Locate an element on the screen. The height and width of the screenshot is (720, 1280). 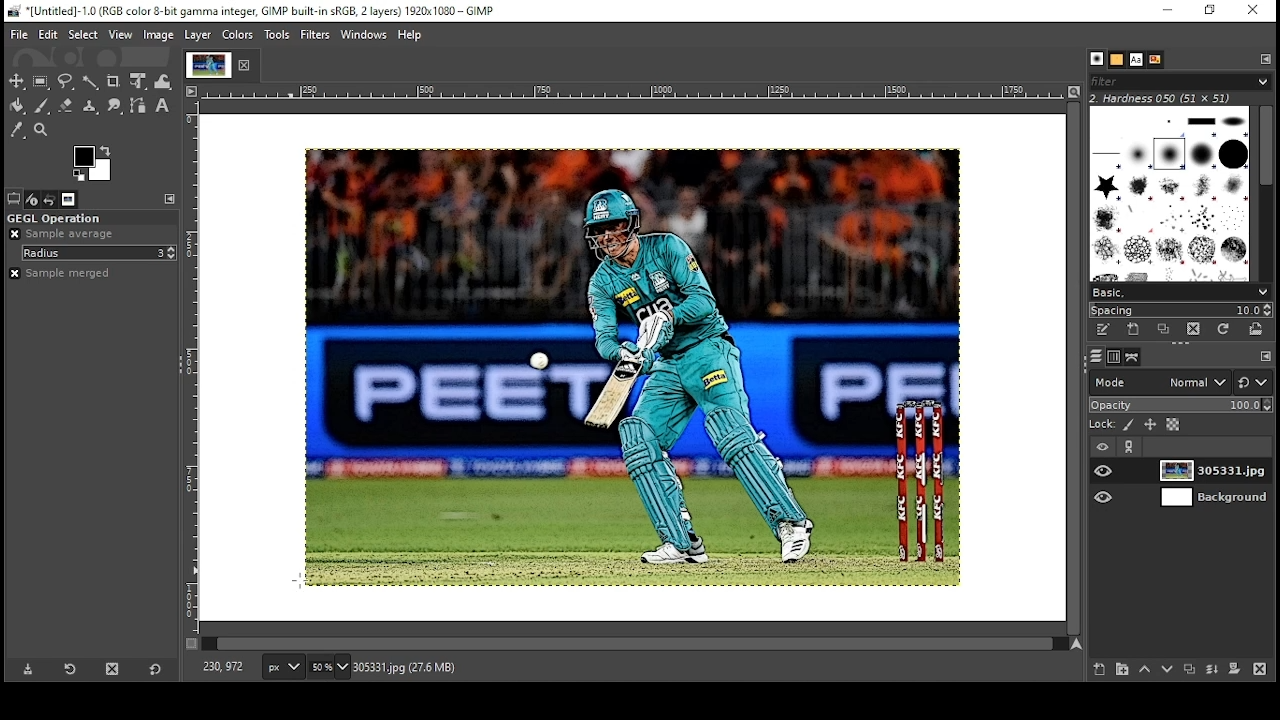
fuzzy selection  is located at coordinates (90, 82).